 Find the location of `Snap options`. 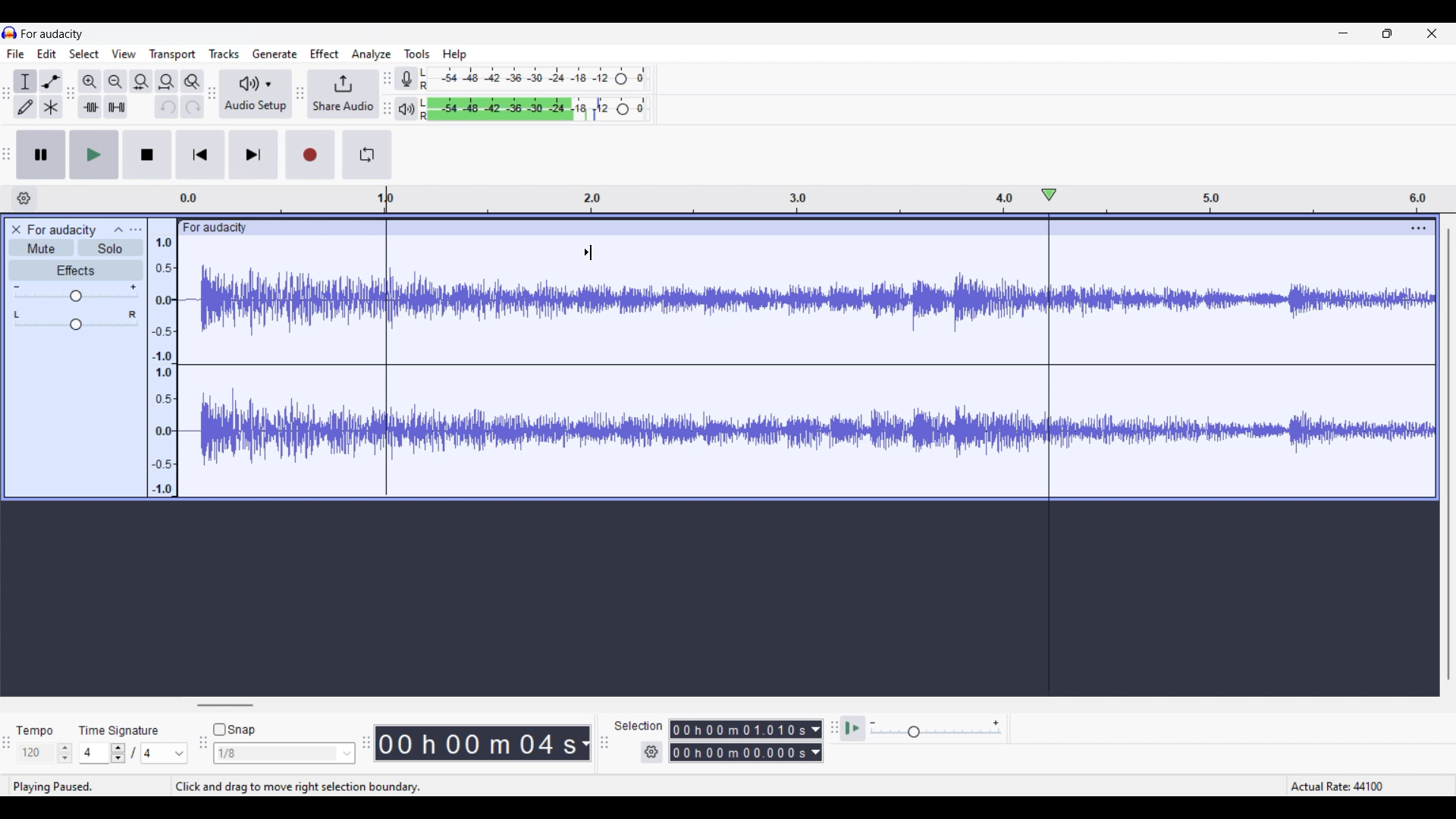

Snap options is located at coordinates (285, 753).